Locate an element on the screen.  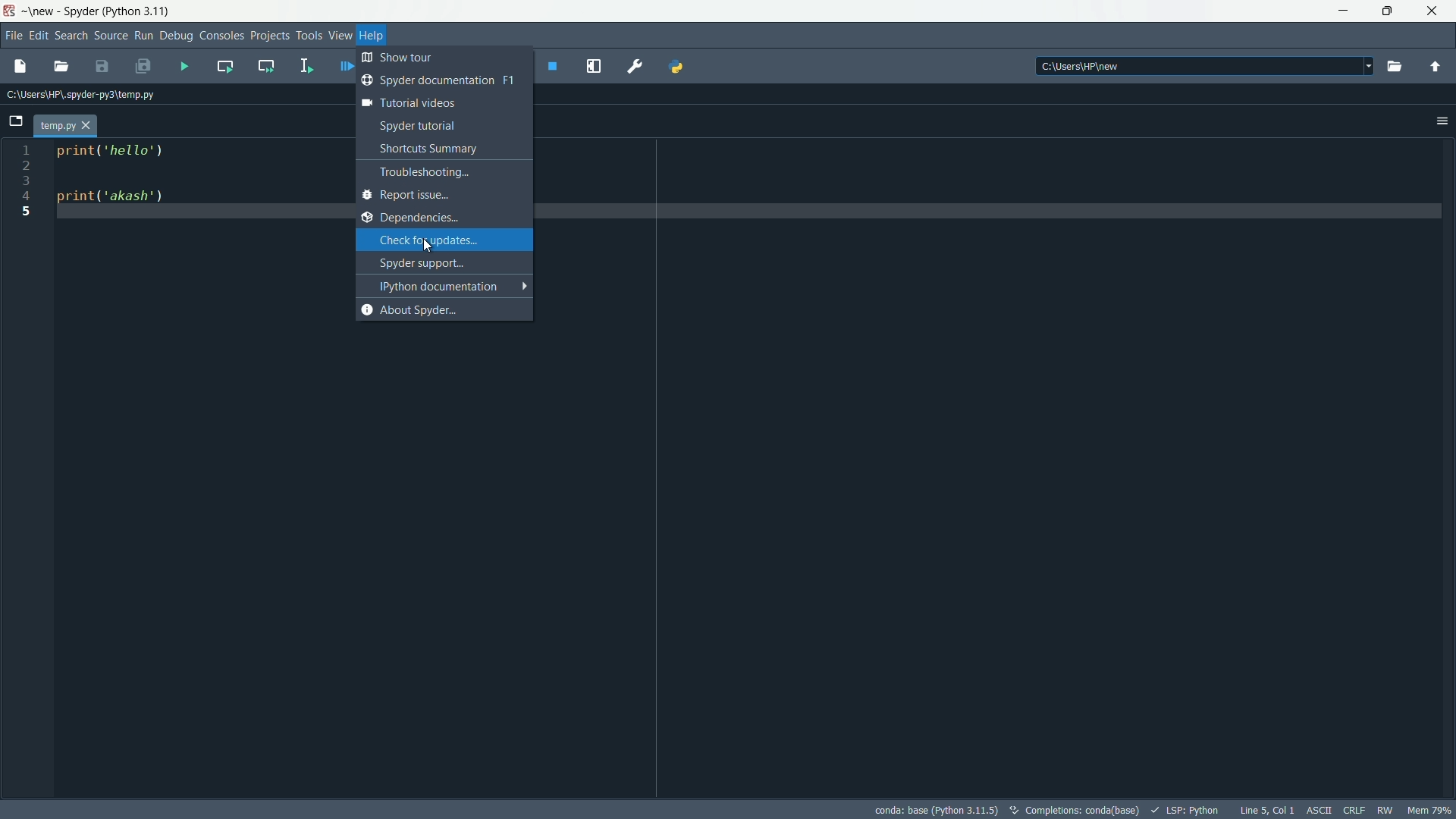
browse a working directory is located at coordinates (1394, 67).